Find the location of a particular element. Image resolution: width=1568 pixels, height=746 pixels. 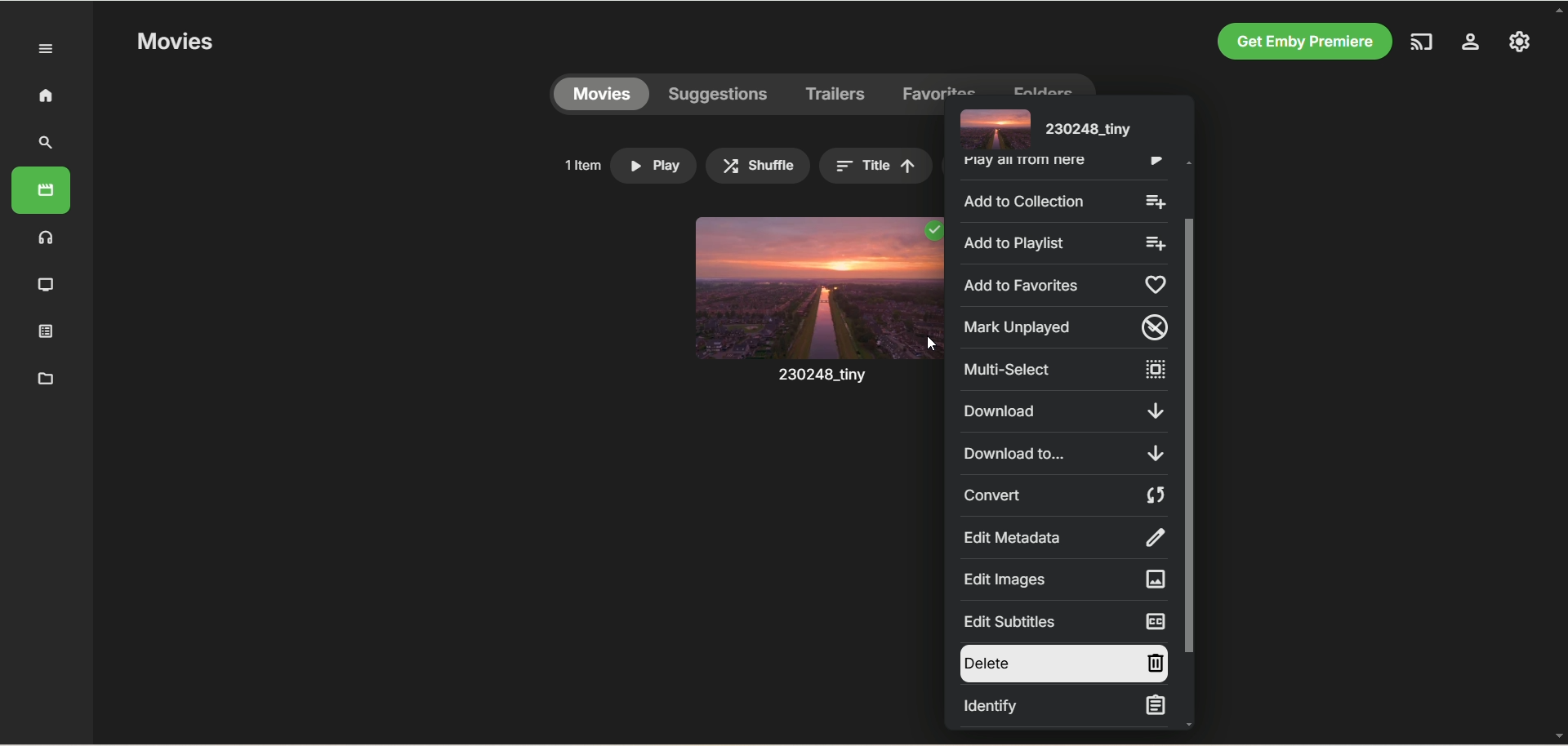

metadata manager is located at coordinates (42, 377).